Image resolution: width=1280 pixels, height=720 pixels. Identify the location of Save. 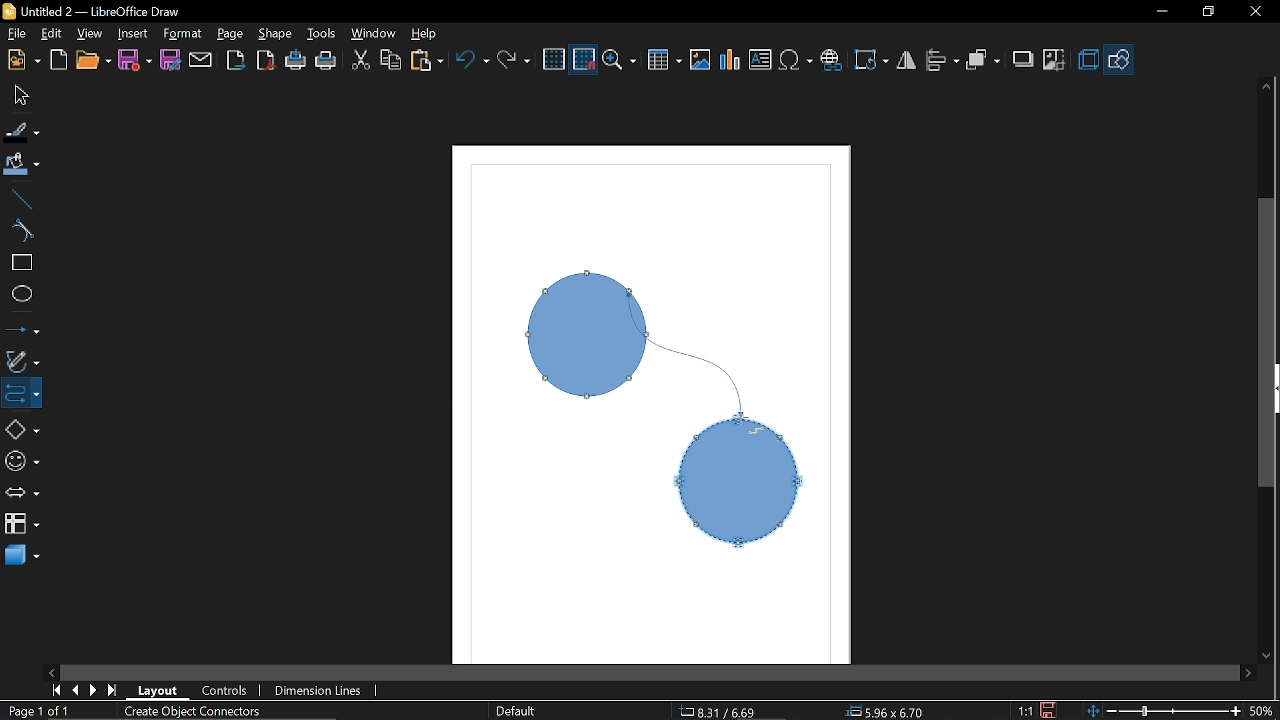
(1051, 709).